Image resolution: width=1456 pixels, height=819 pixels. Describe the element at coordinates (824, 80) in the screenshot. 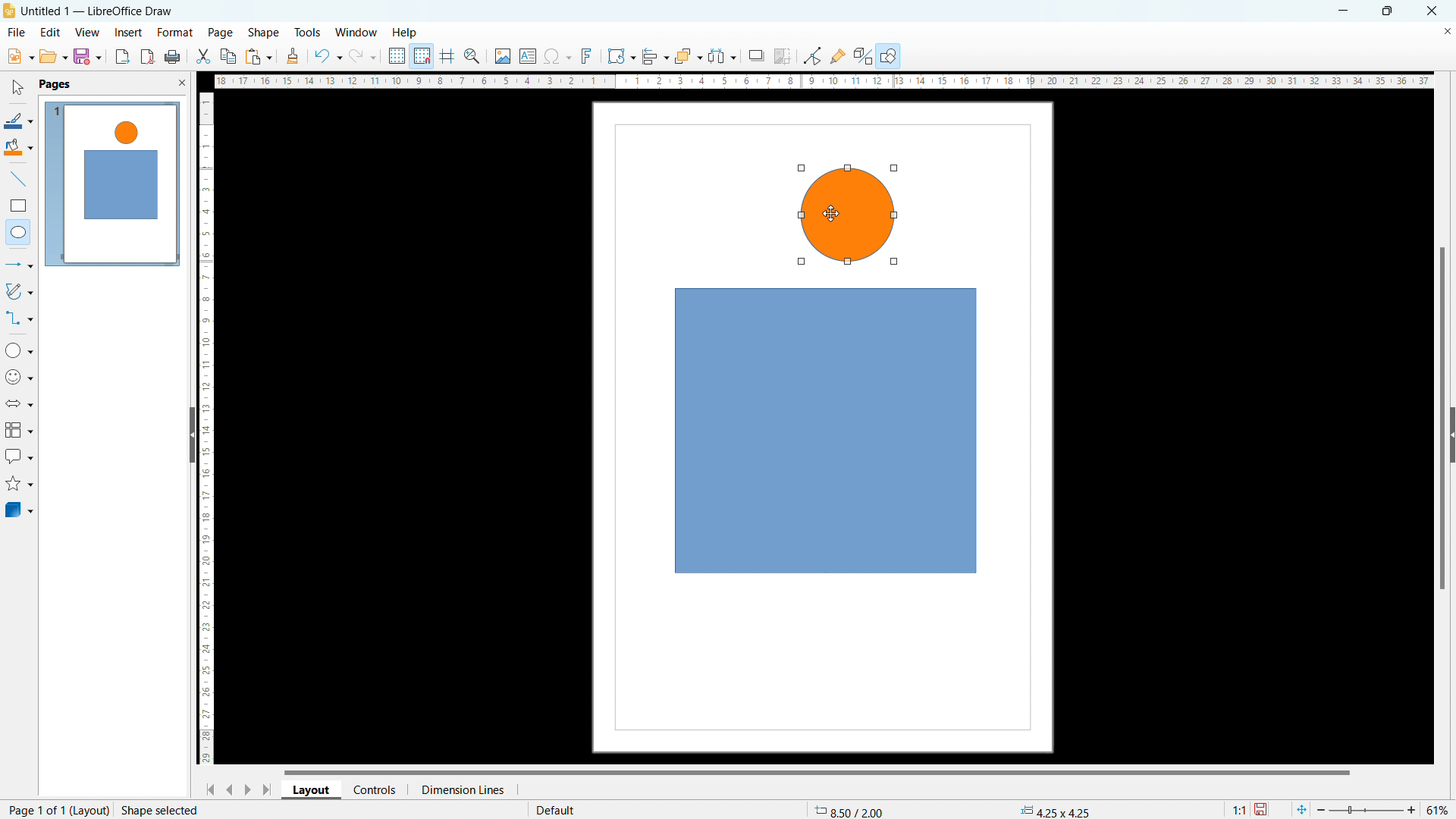

I see `horizontal ruler` at that location.